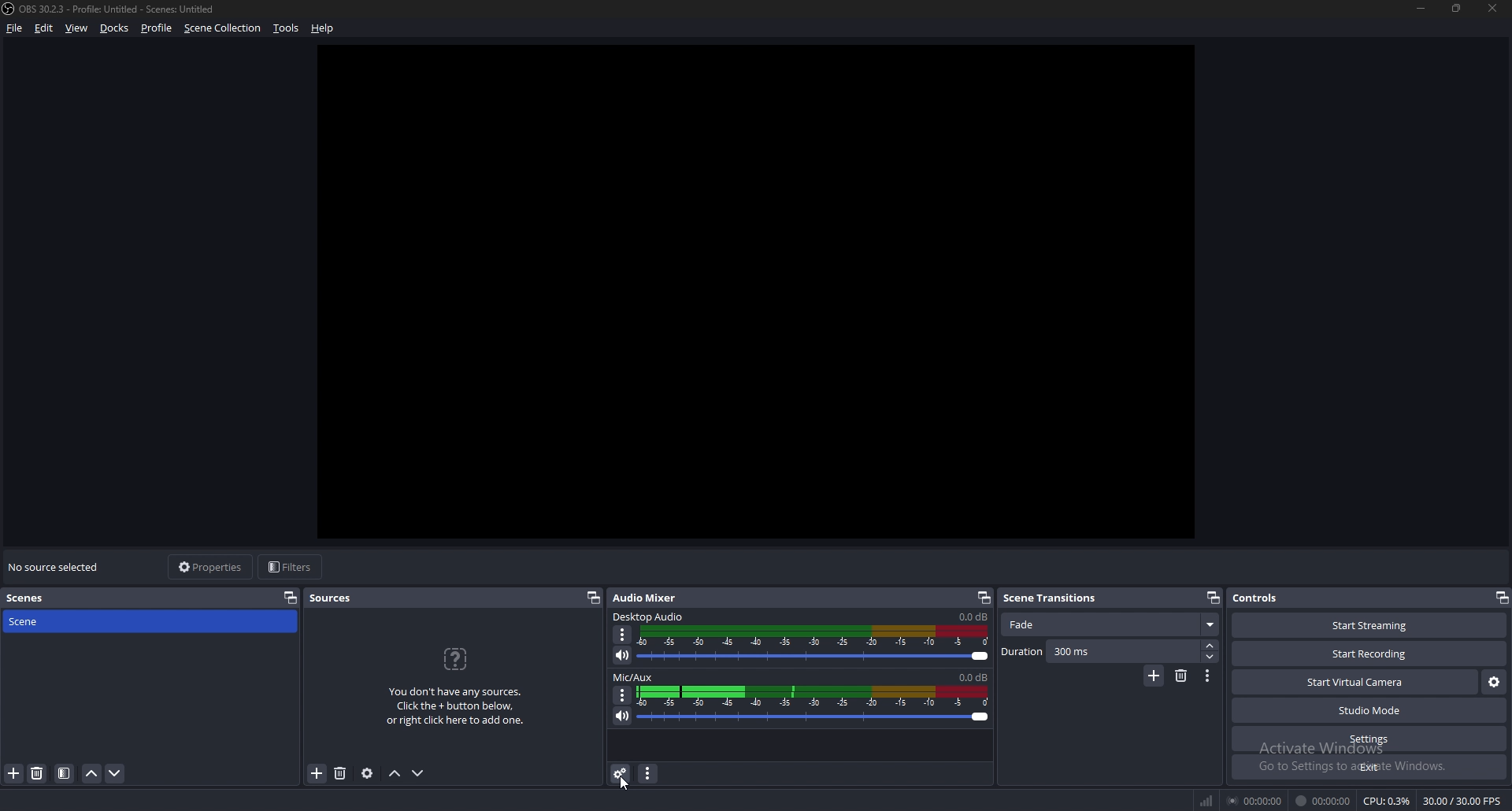 Image resolution: width=1512 pixels, height=811 pixels. I want to click on scenes, so click(34, 597).